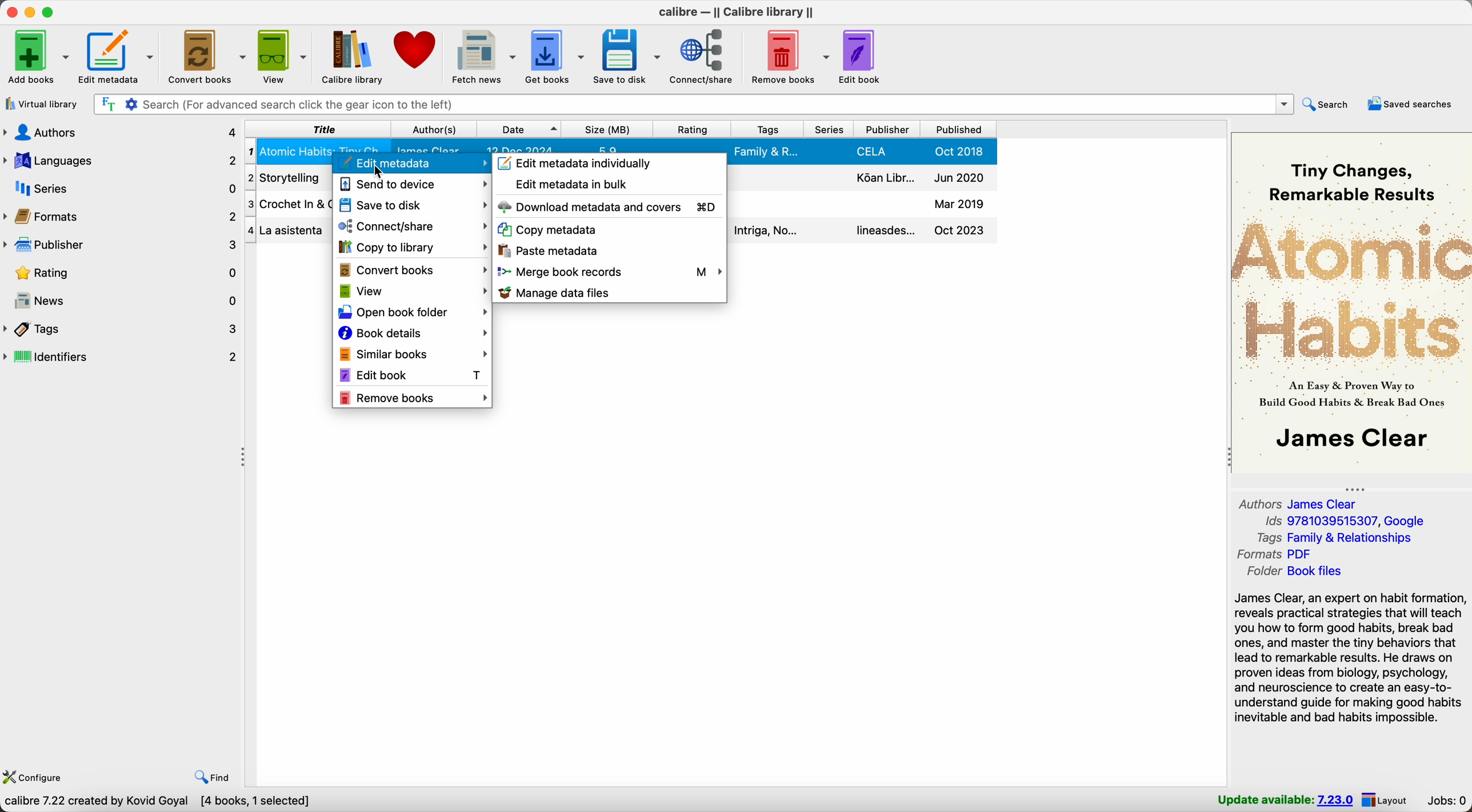 Image resolution: width=1472 pixels, height=812 pixels. Describe the element at coordinates (415, 375) in the screenshot. I see `edit book` at that location.